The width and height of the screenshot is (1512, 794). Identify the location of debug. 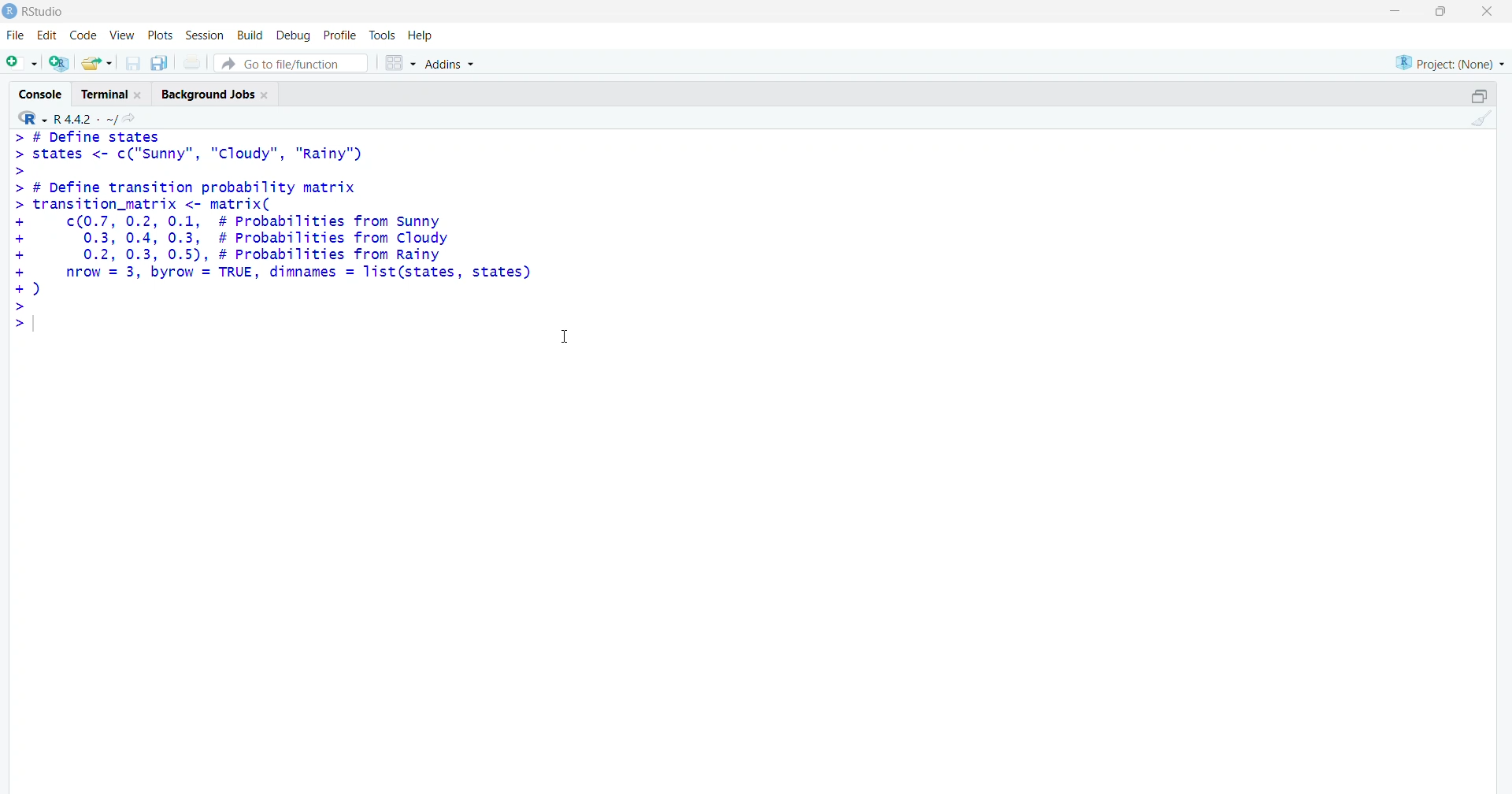
(292, 35).